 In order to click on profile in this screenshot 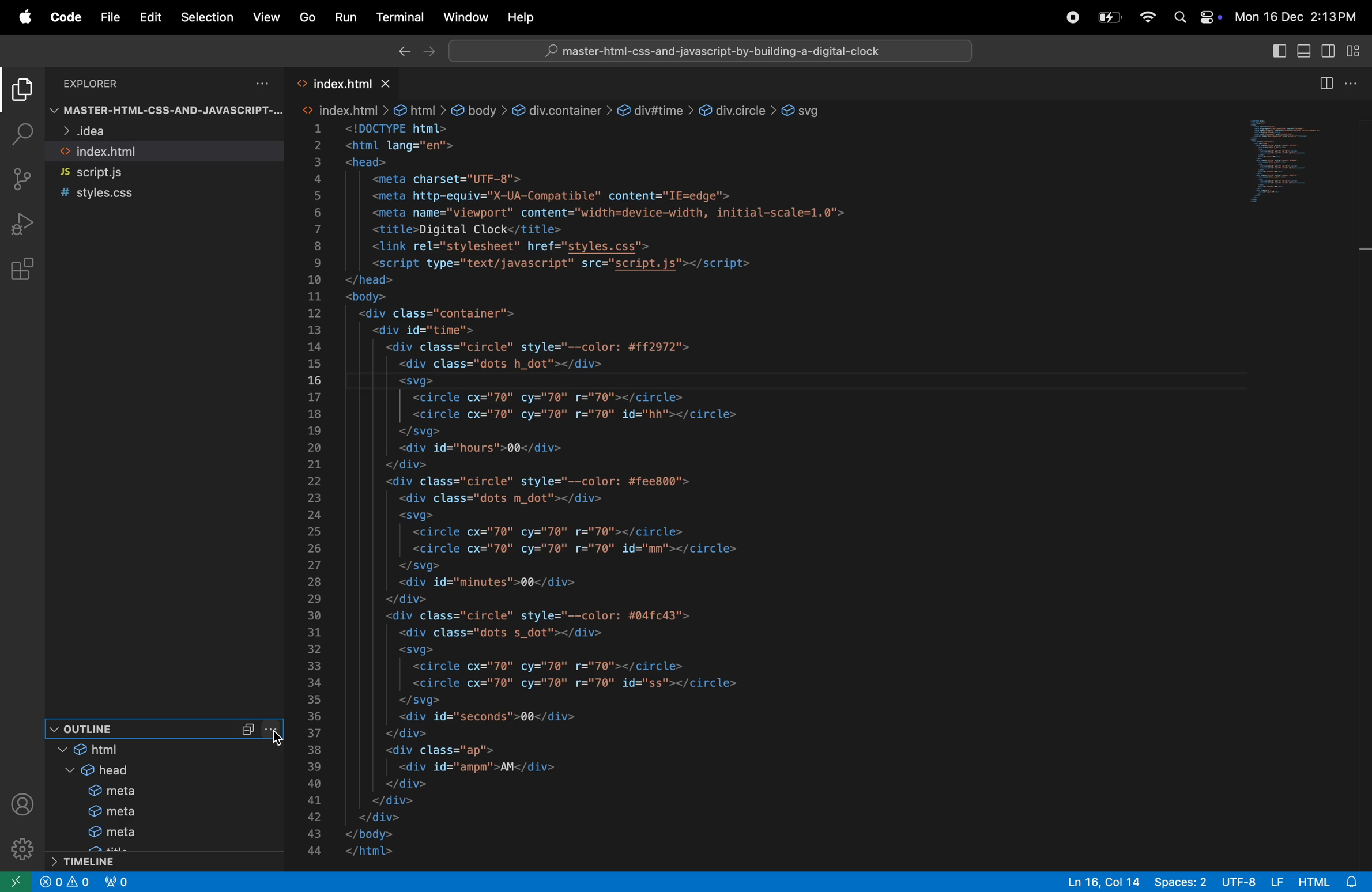, I will do `click(24, 805)`.